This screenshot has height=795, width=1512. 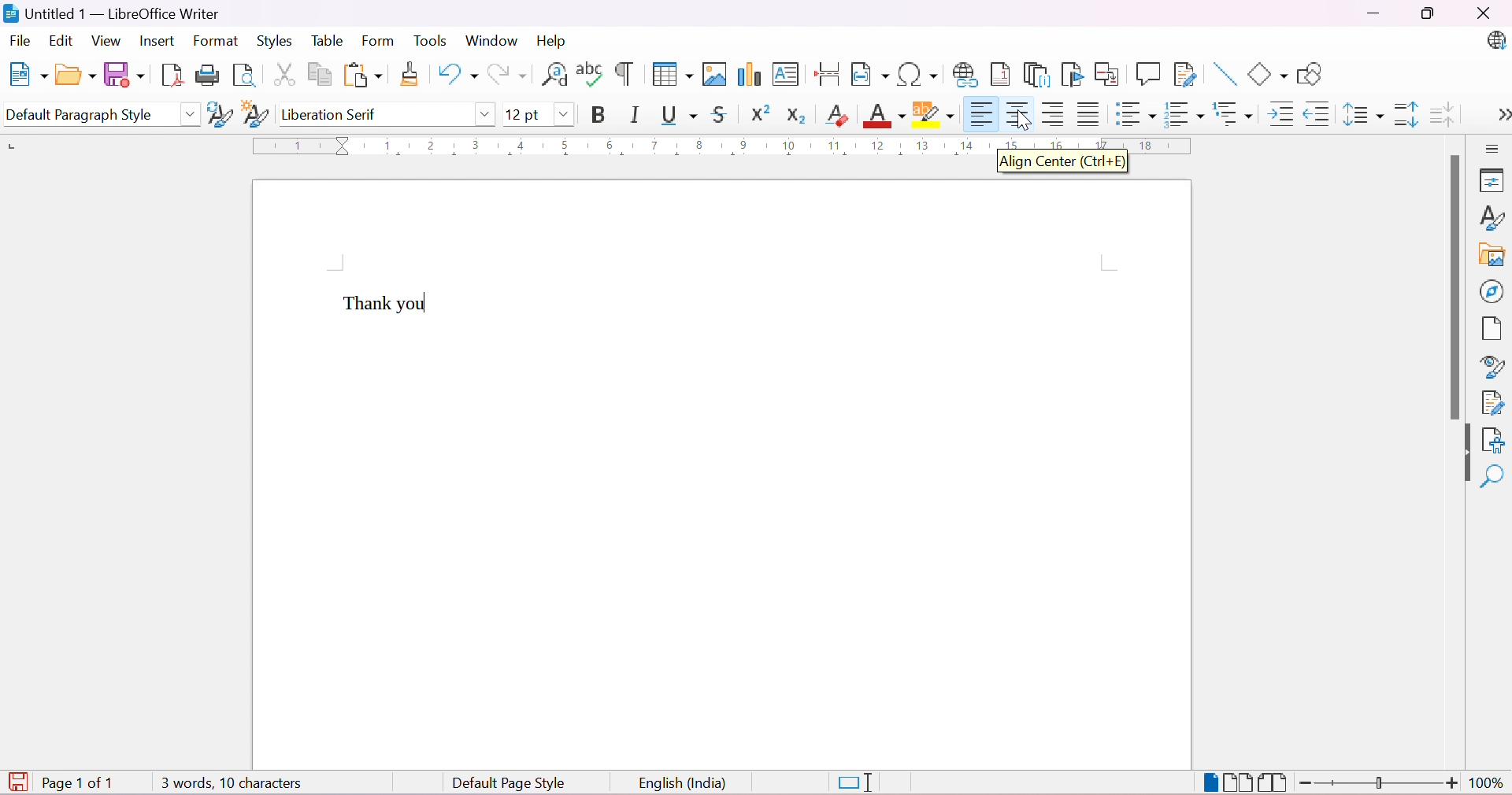 I want to click on Italic, so click(x=635, y=114).